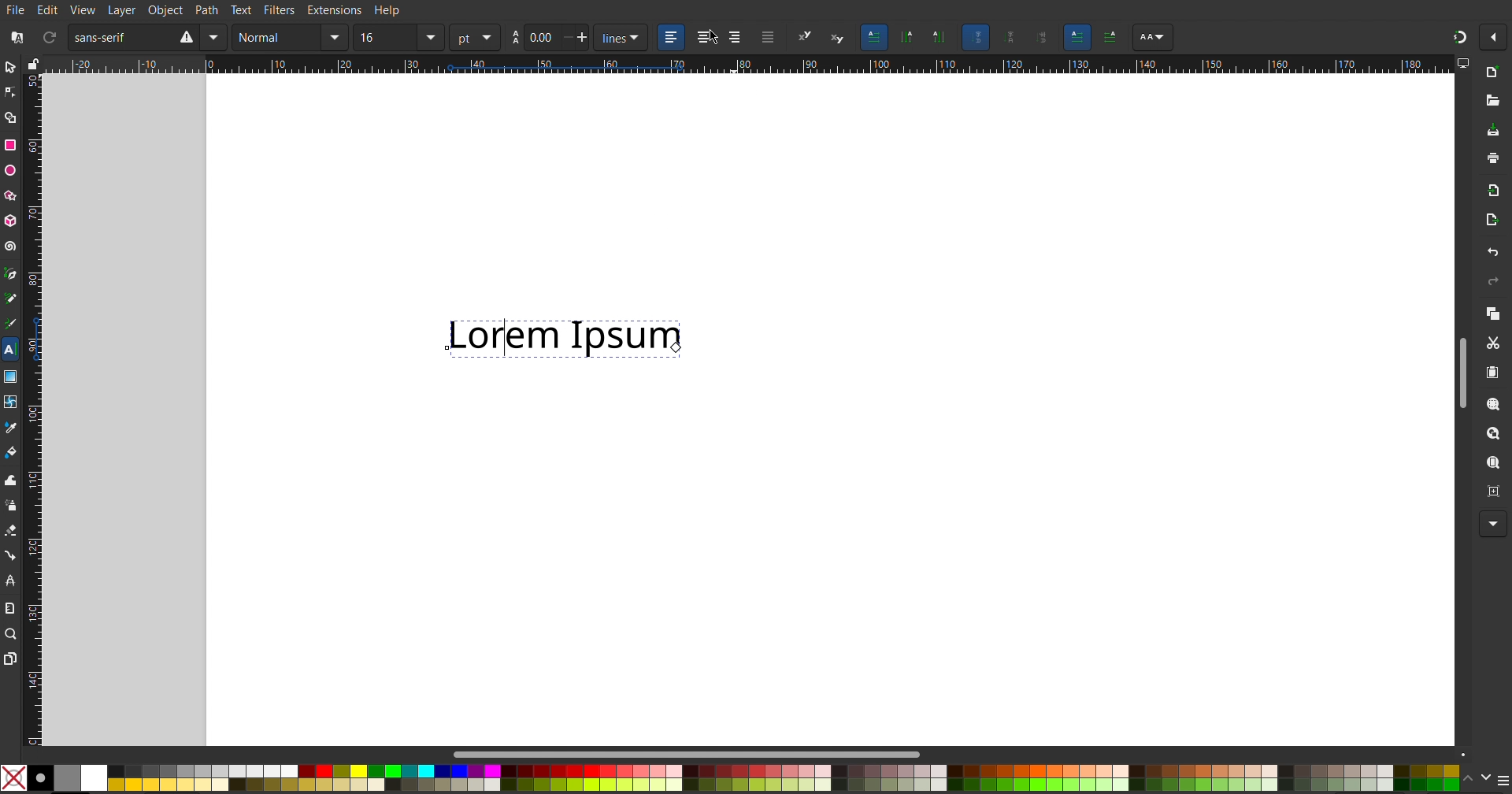  I want to click on Size, so click(559, 38).